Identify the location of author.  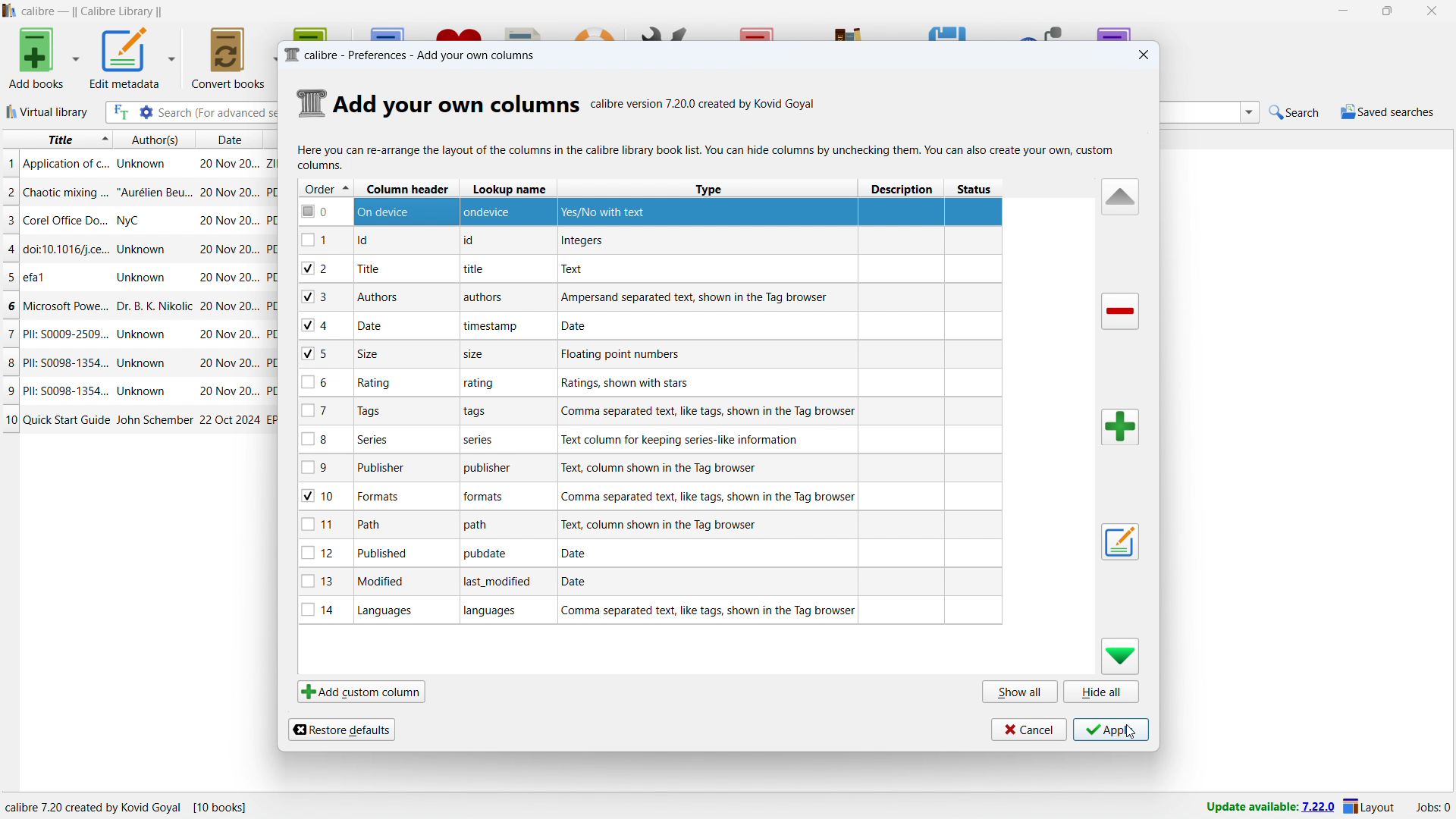
(143, 363).